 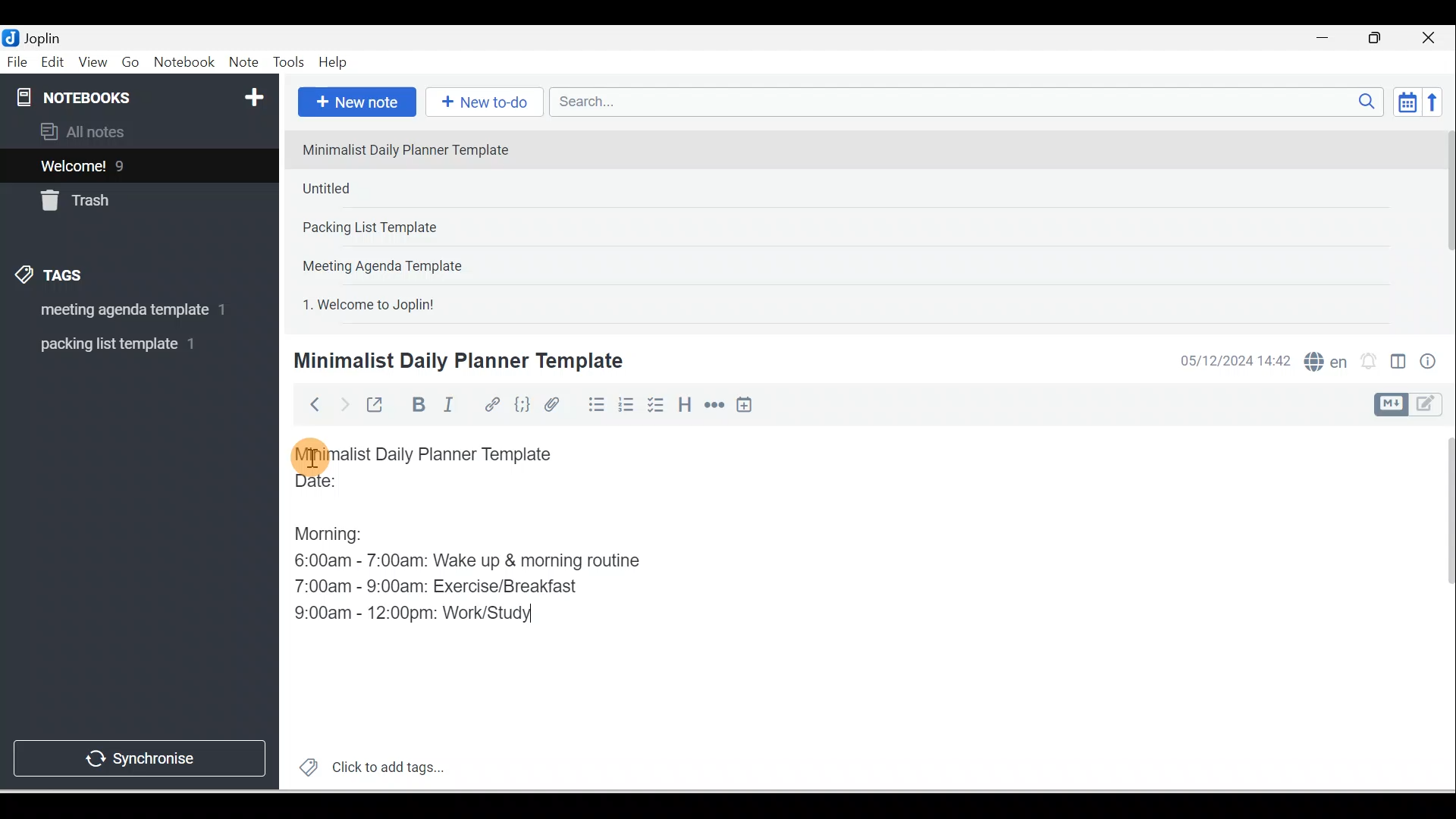 What do you see at coordinates (1437, 102) in the screenshot?
I see `Reverse sort` at bounding box center [1437, 102].